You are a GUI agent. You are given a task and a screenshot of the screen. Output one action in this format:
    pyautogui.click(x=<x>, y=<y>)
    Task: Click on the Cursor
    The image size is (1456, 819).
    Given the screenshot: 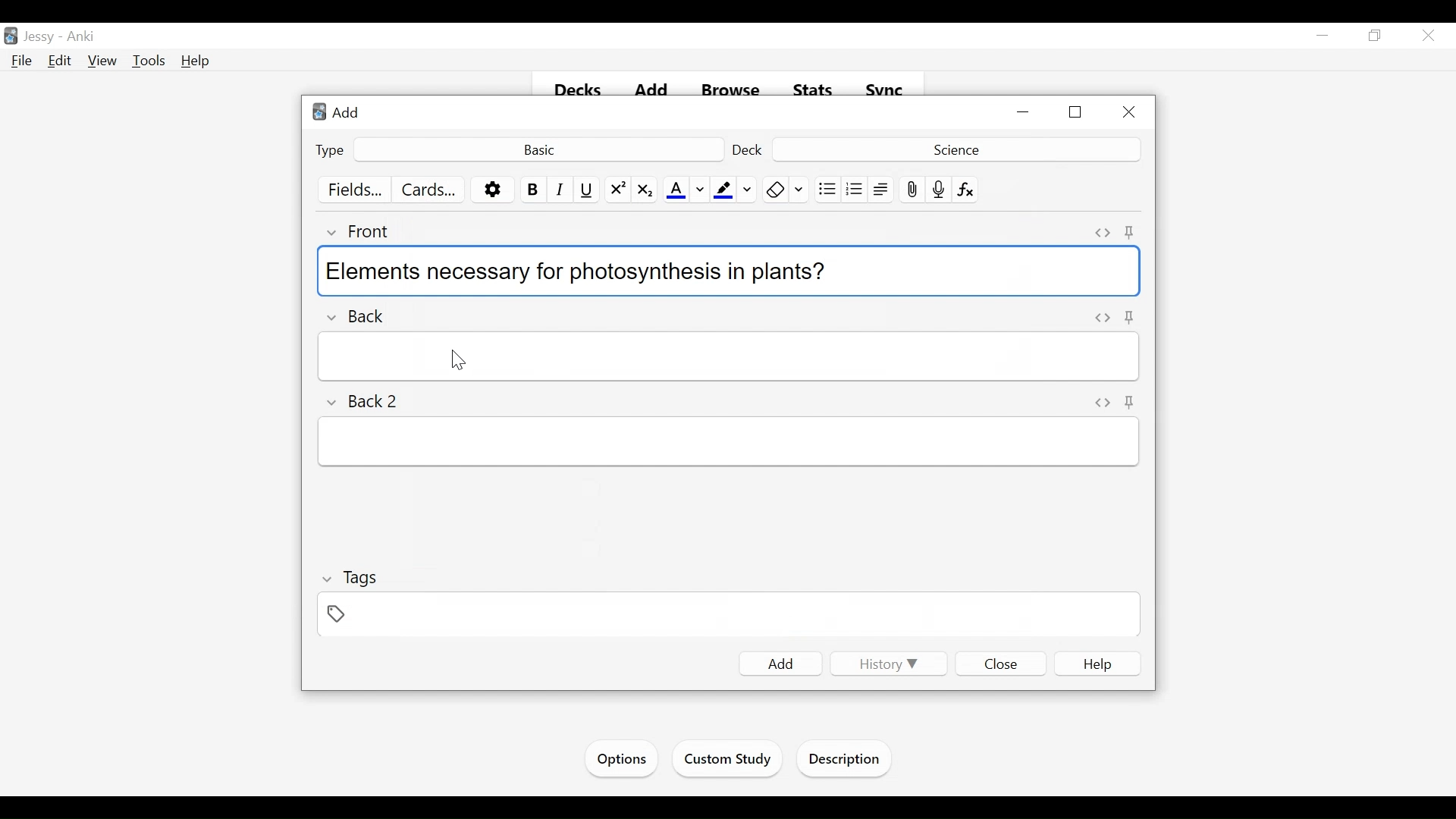 What is the action you would take?
    pyautogui.click(x=457, y=358)
    